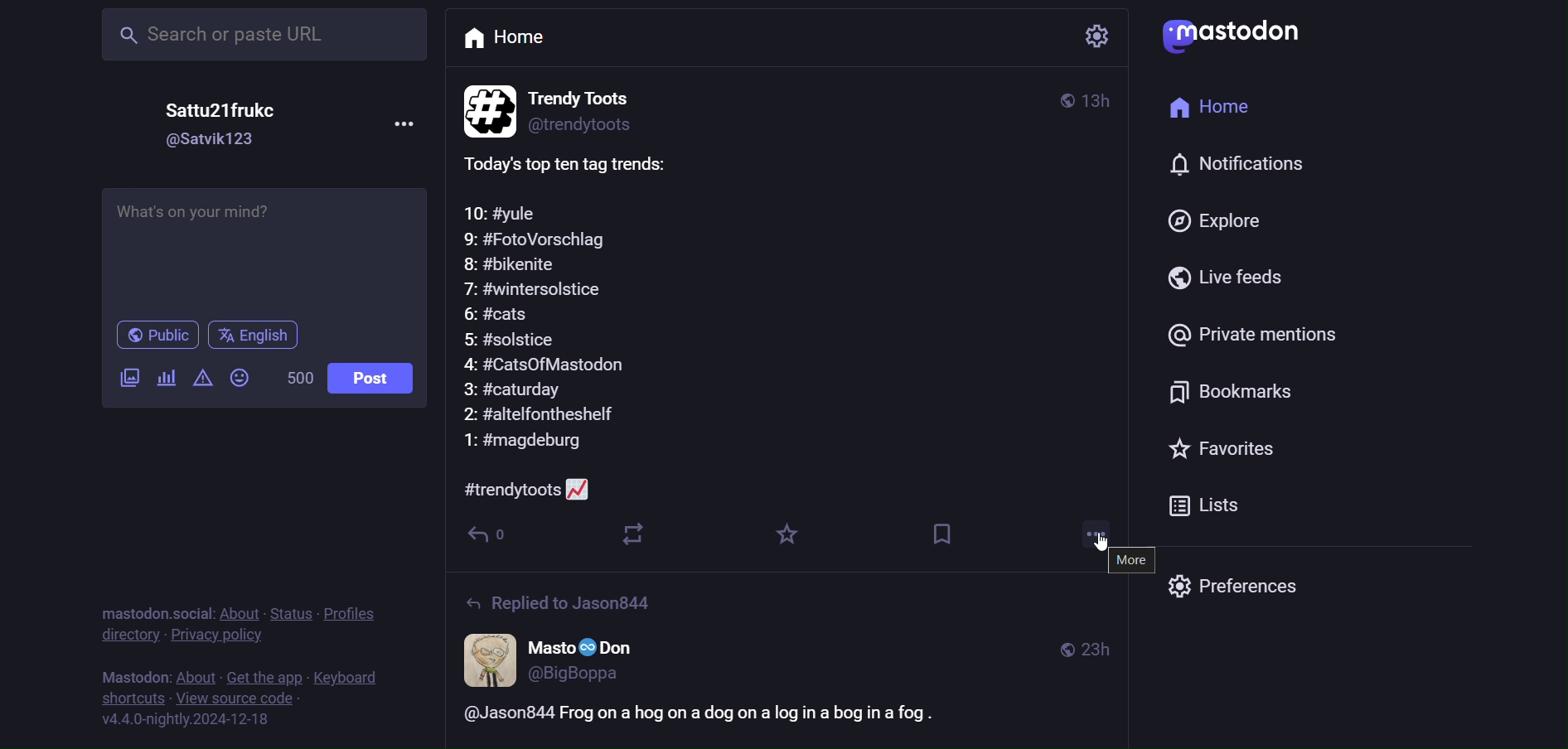 Image resolution: width=1568 pixels, height=749 pixels. Describe the element at coordinates (122, 379) in the screenshot. I see `add a image` at that location.